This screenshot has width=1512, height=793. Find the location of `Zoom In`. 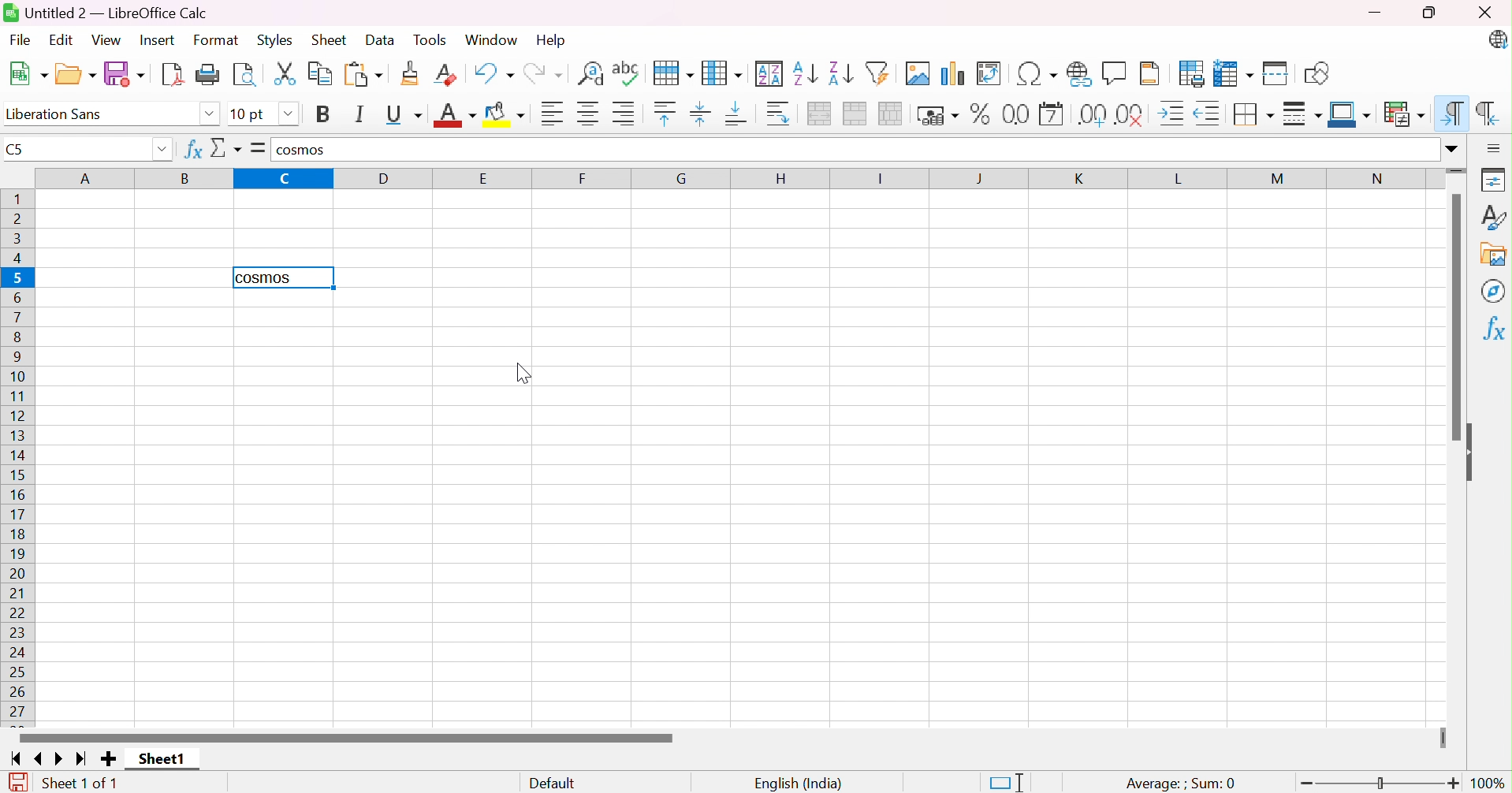

Zoom In is located at coordinates (1454, 783).